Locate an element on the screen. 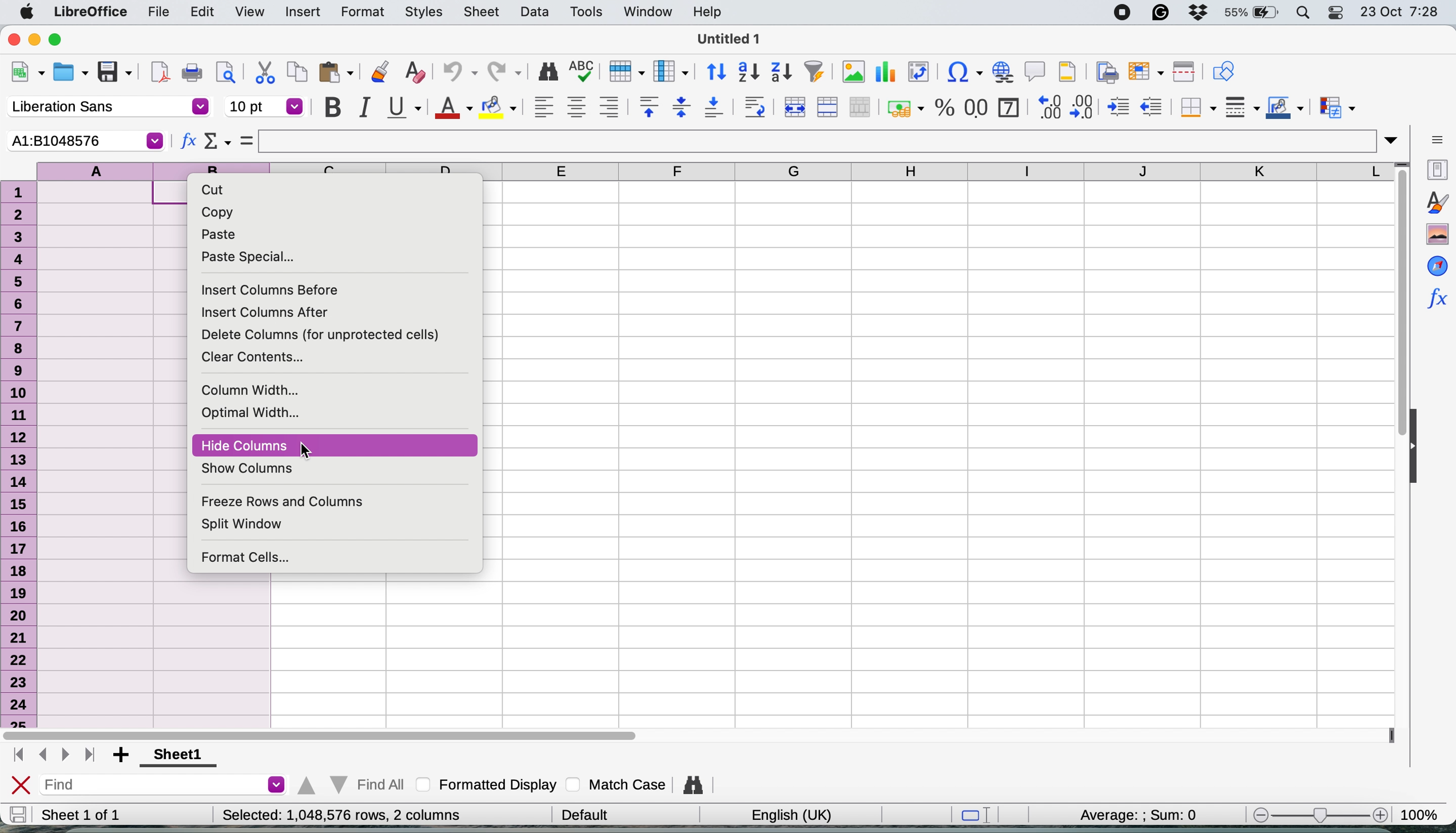 The height and width of the screenshot is (833, 1456). collapse is located at coordinates (1417, 444).